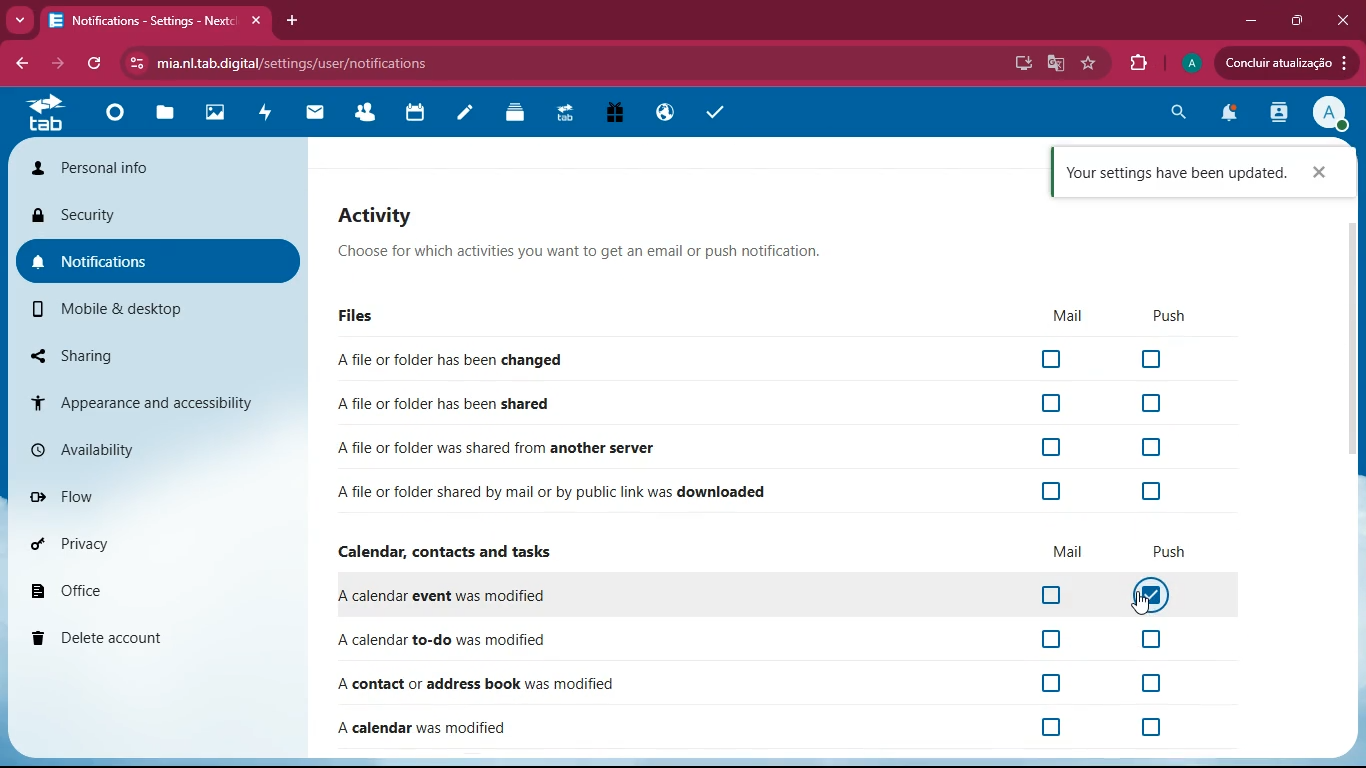 This screenshot has height=768, width=1366. What do you see at coordinates (1299, 20) in the screenshot?
I see `maximize` at bounding box center [1299, 20].